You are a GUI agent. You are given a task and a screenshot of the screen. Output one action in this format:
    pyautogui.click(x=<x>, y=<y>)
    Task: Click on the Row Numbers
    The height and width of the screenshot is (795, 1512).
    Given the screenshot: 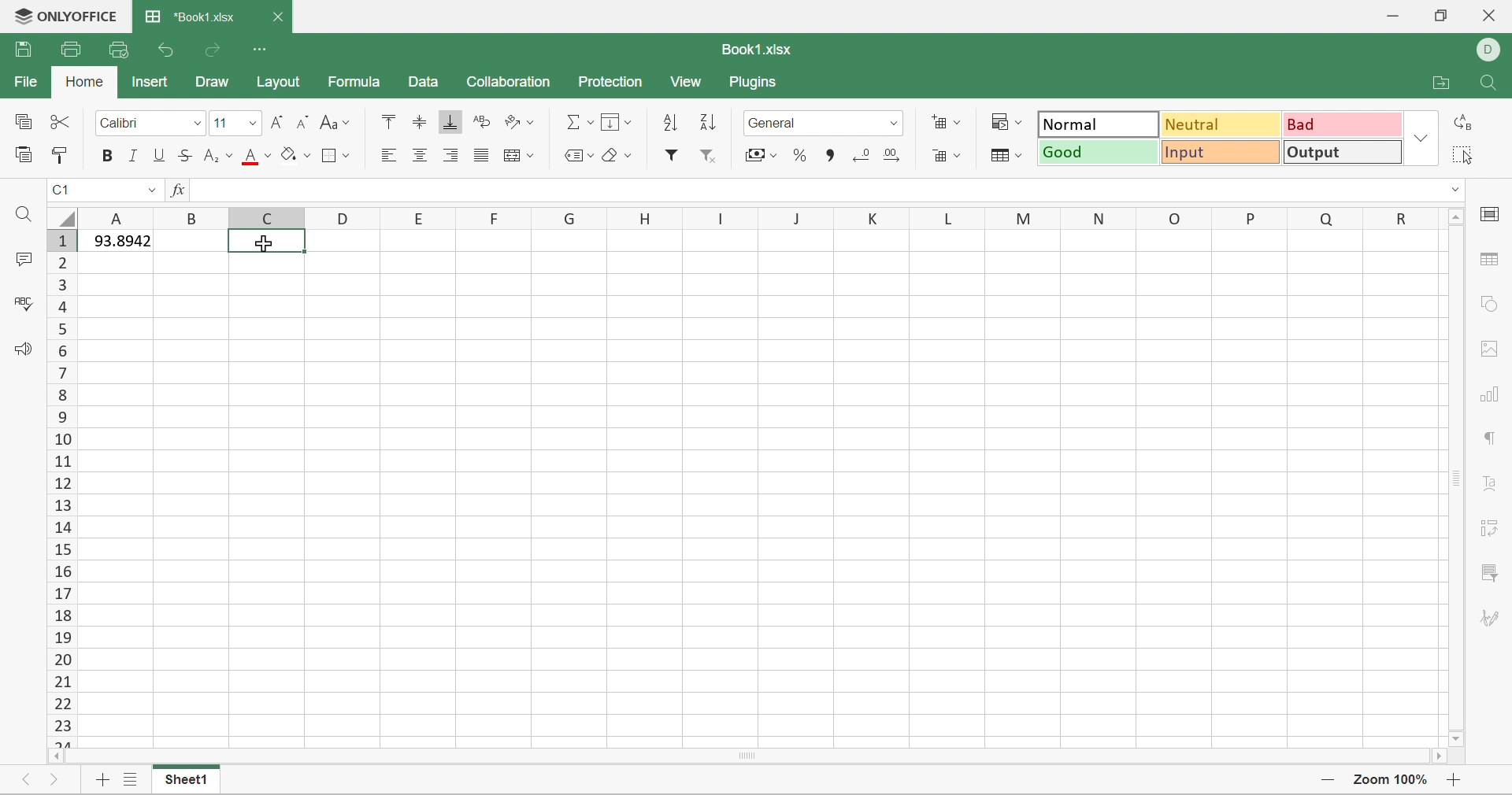 What is the action you would take?
    pyautogui.click(x=62, y=487)
    